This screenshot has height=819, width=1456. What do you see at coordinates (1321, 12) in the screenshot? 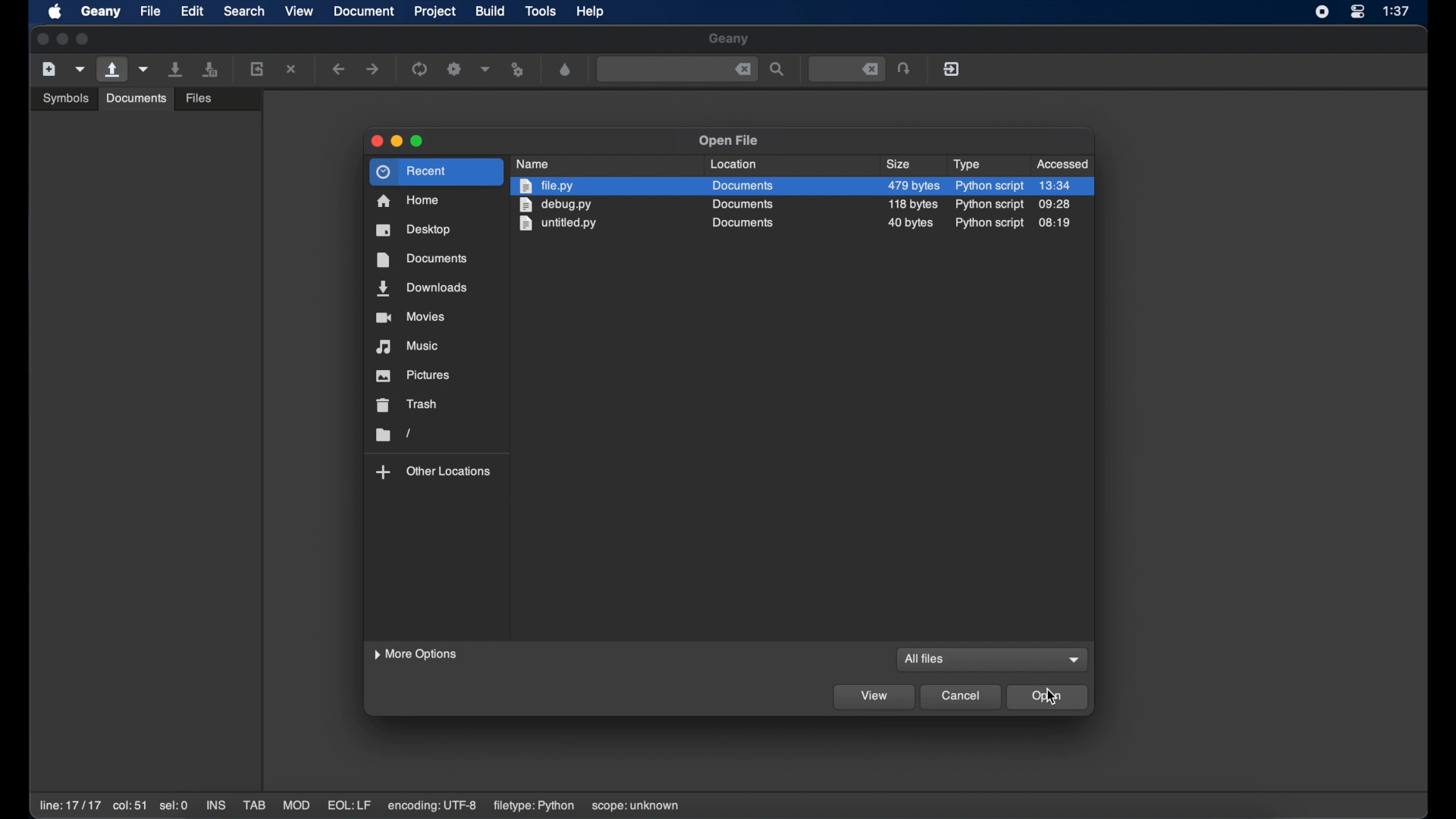
I see `screen recorder icons` at bounding box center [1321, 12].